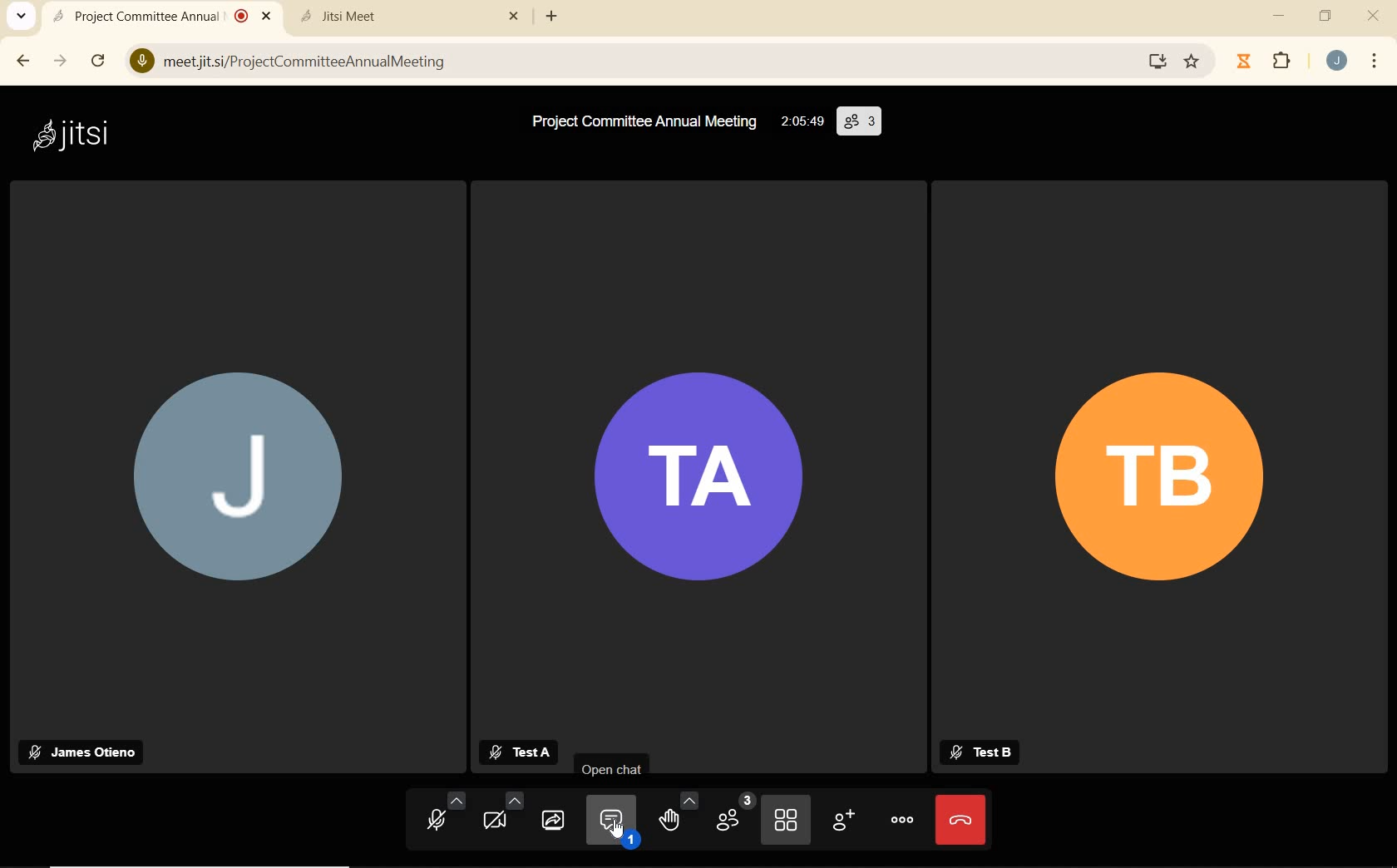 This screenshot has width=1397, height=868. What do you see at coordinates (96, 60) in the screenshot?
I see `reload` at bounding box center [96, 60].